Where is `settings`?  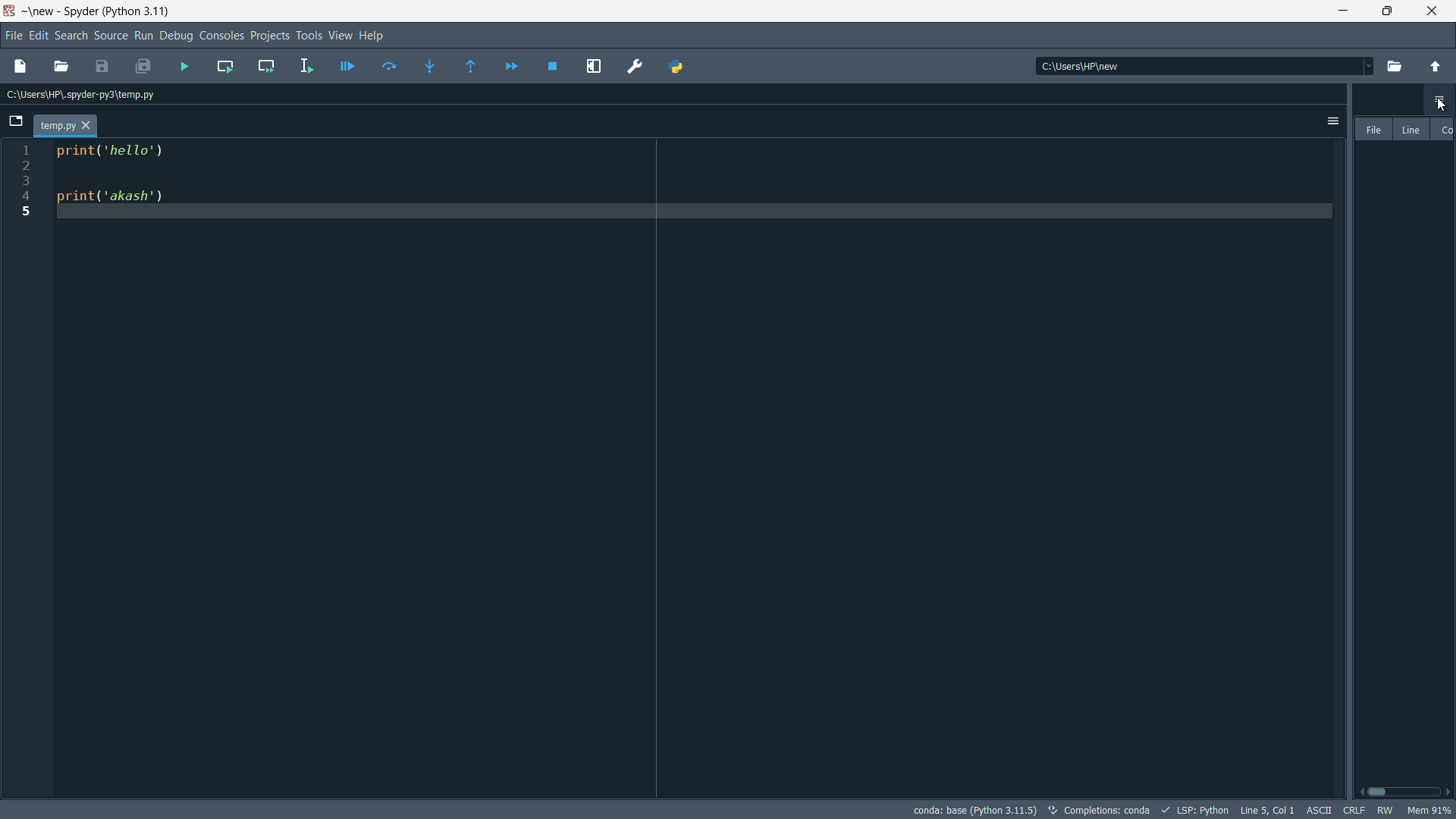 settings is located at coordinates (1439, 100).